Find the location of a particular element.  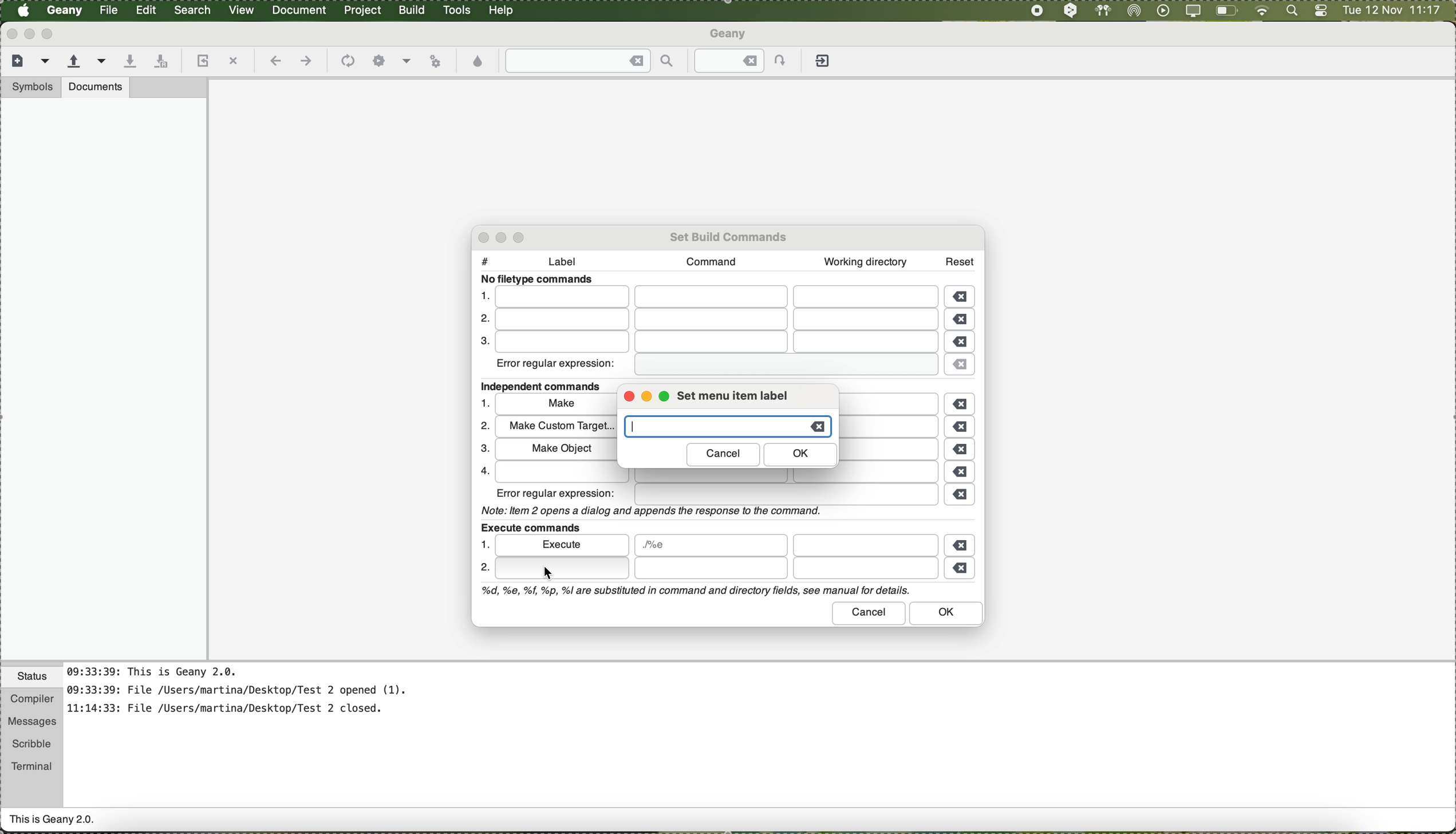

file is located at coordinates (786, 495).